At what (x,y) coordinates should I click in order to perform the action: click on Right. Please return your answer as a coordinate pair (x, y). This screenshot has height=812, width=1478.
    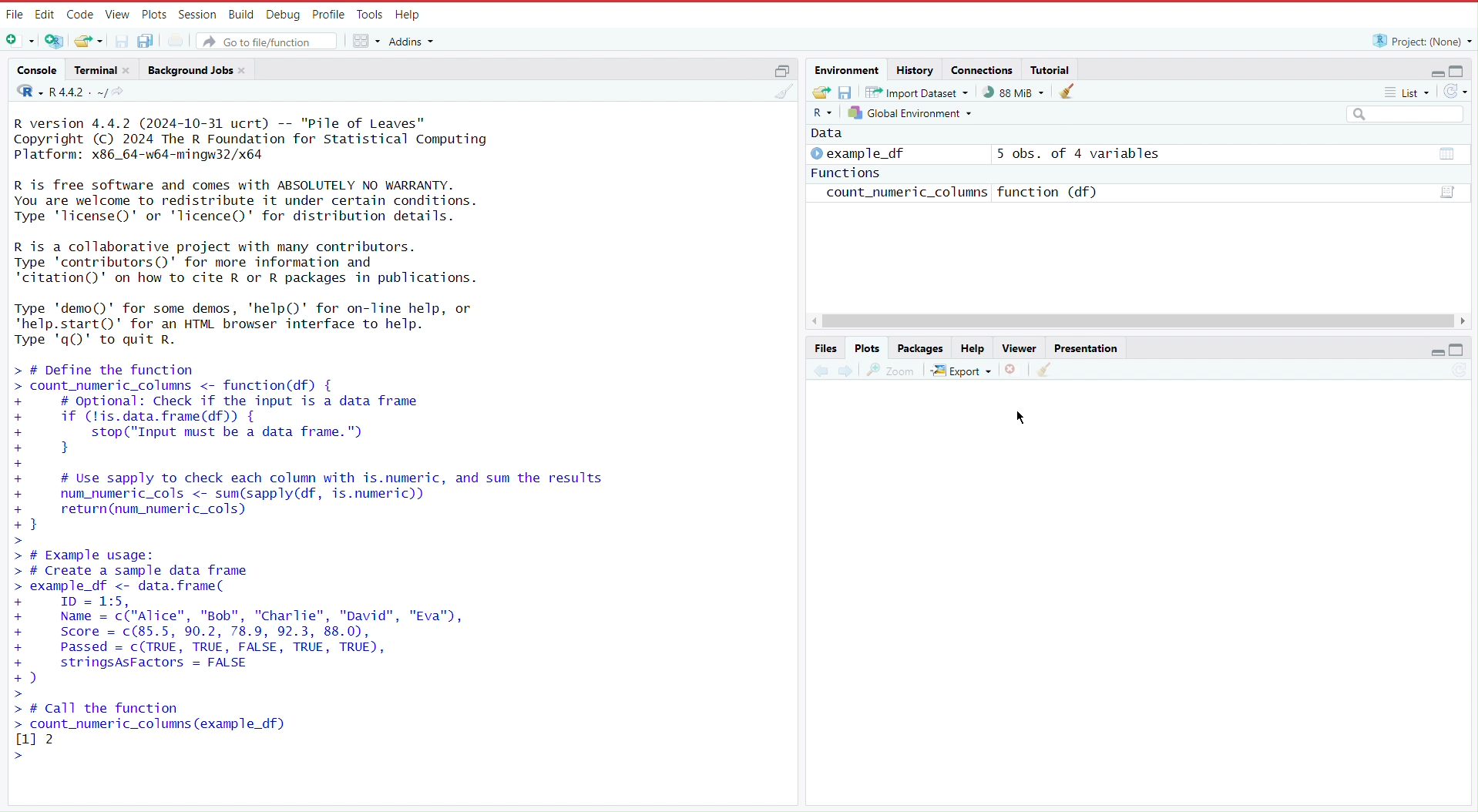
    Looking at the image, I should click on (1465, 321).